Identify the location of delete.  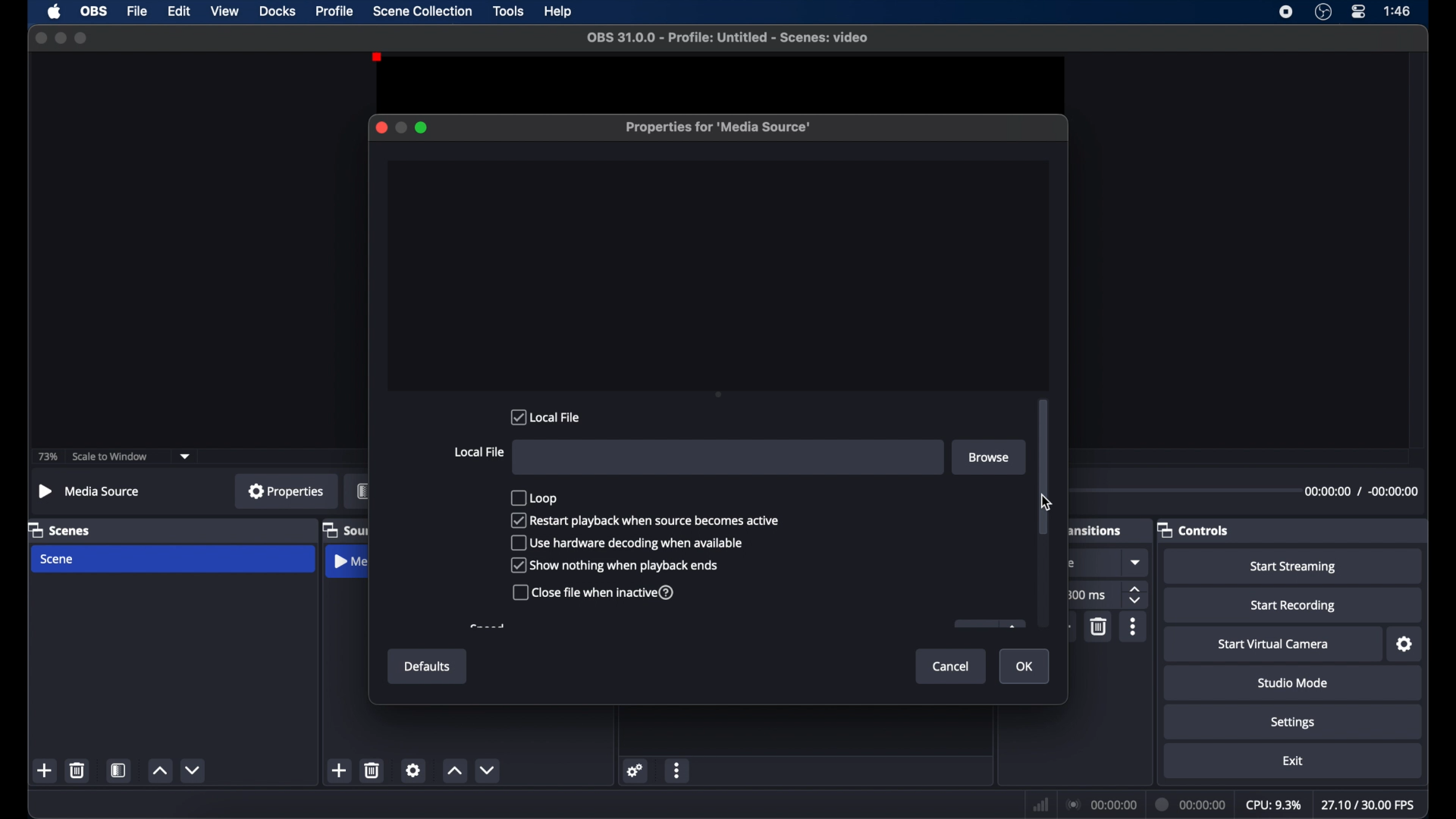
(78, 770).